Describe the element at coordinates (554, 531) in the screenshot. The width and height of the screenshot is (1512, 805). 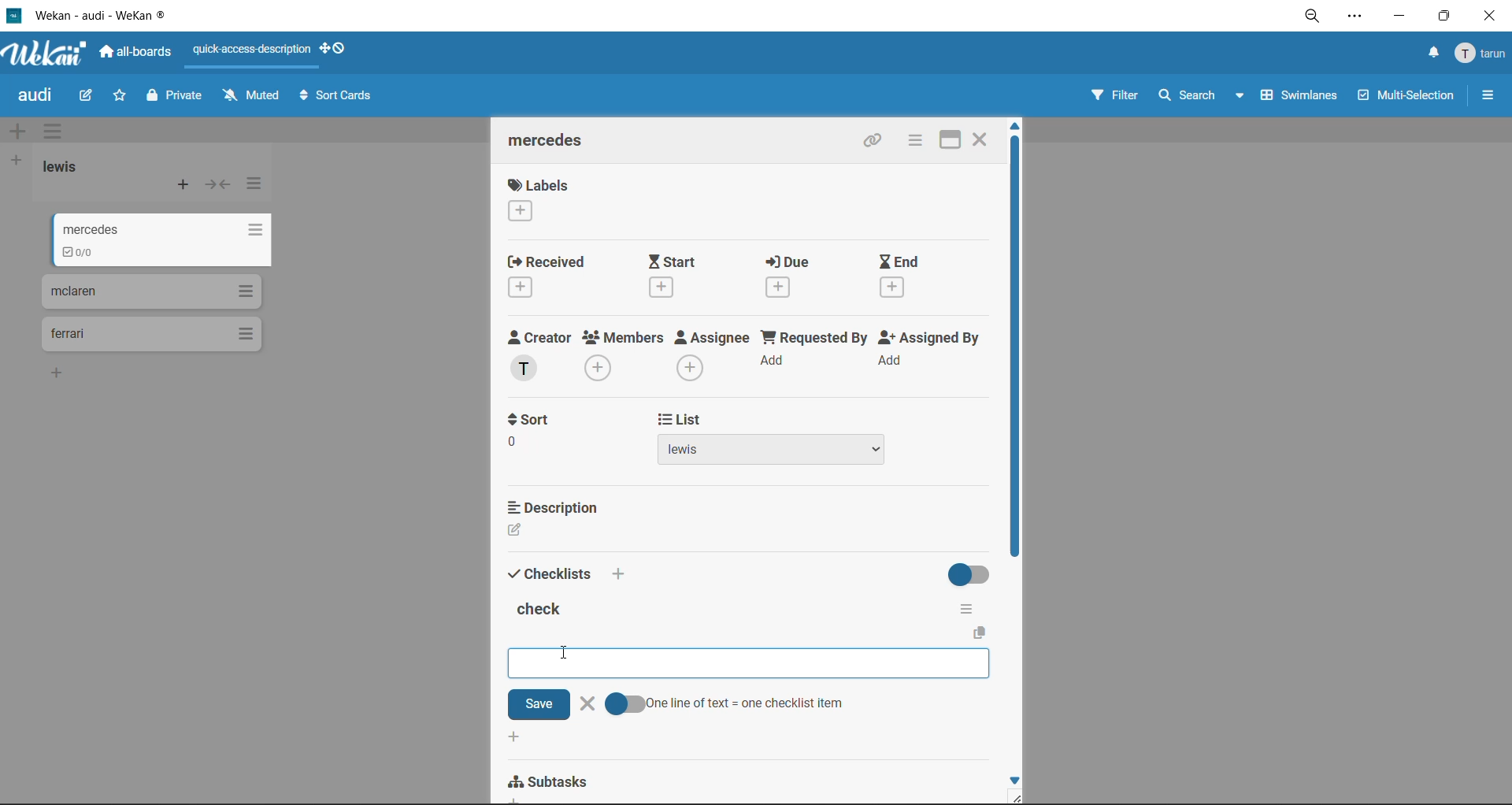
I see `description` at that location.